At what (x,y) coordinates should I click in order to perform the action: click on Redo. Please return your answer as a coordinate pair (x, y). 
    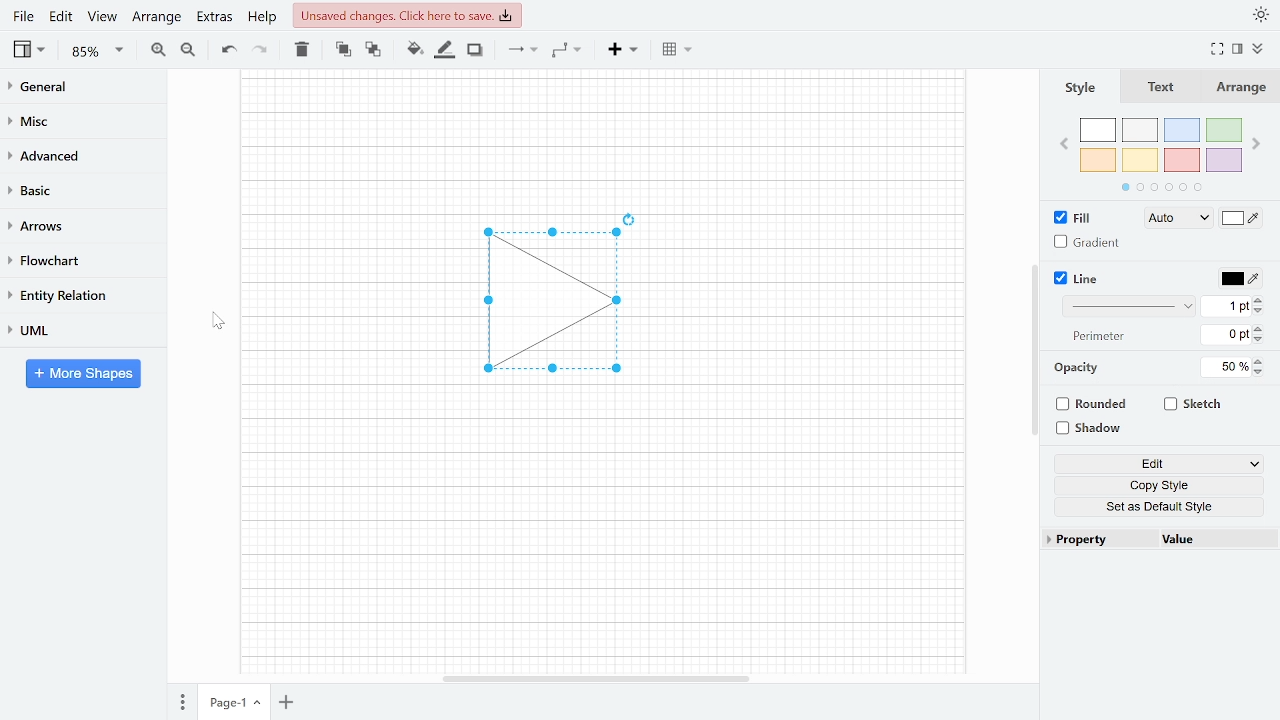
    Looking at the image, I should click on (258, 48).